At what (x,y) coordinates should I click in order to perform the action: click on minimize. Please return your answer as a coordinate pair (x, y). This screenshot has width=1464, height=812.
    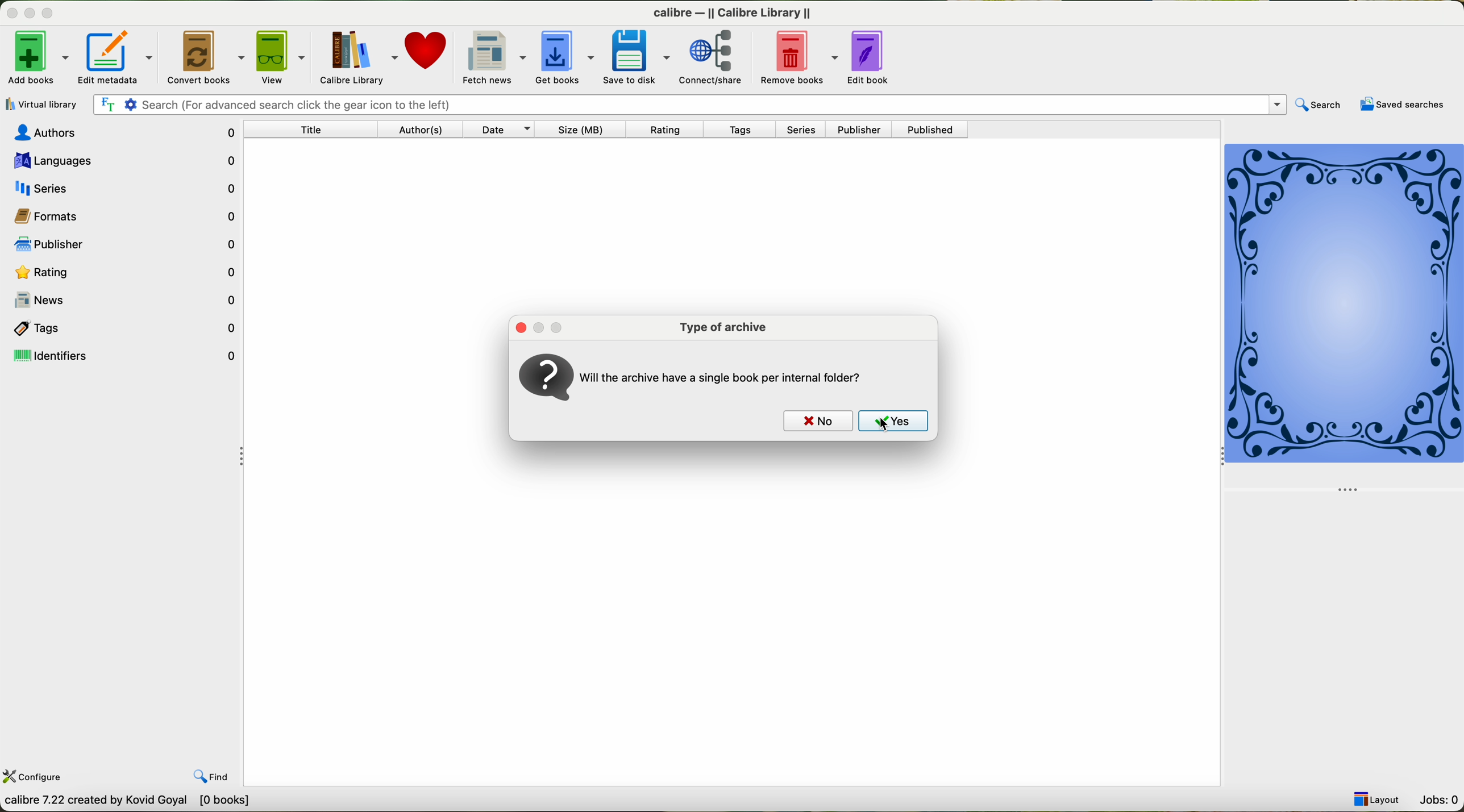
    Looking at the image, I should click on (538, 326).